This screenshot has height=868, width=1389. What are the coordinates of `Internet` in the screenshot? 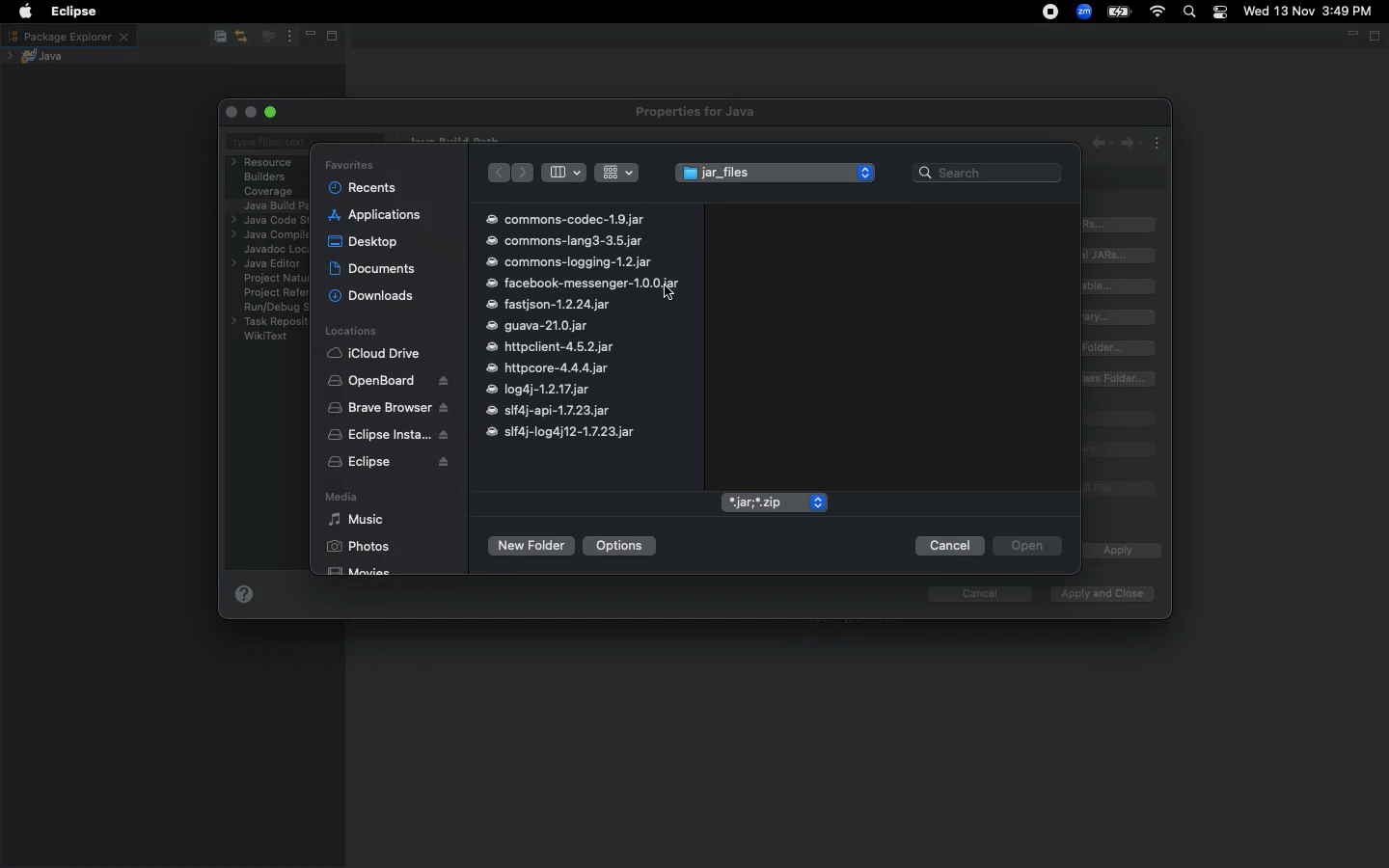 It's located at (1158, 13).